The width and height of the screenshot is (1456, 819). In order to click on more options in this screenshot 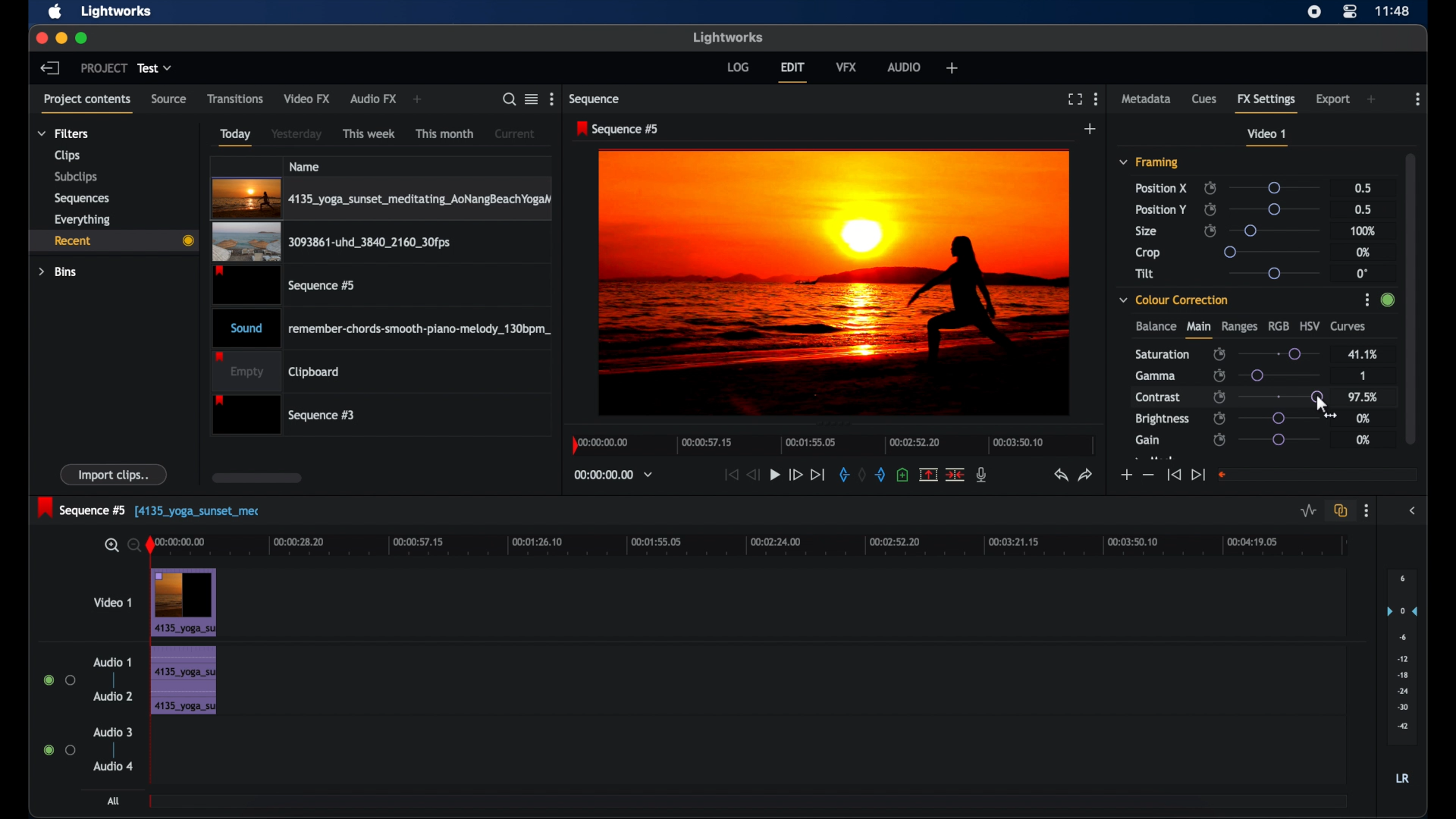, I will do `click(1418, 99)`.